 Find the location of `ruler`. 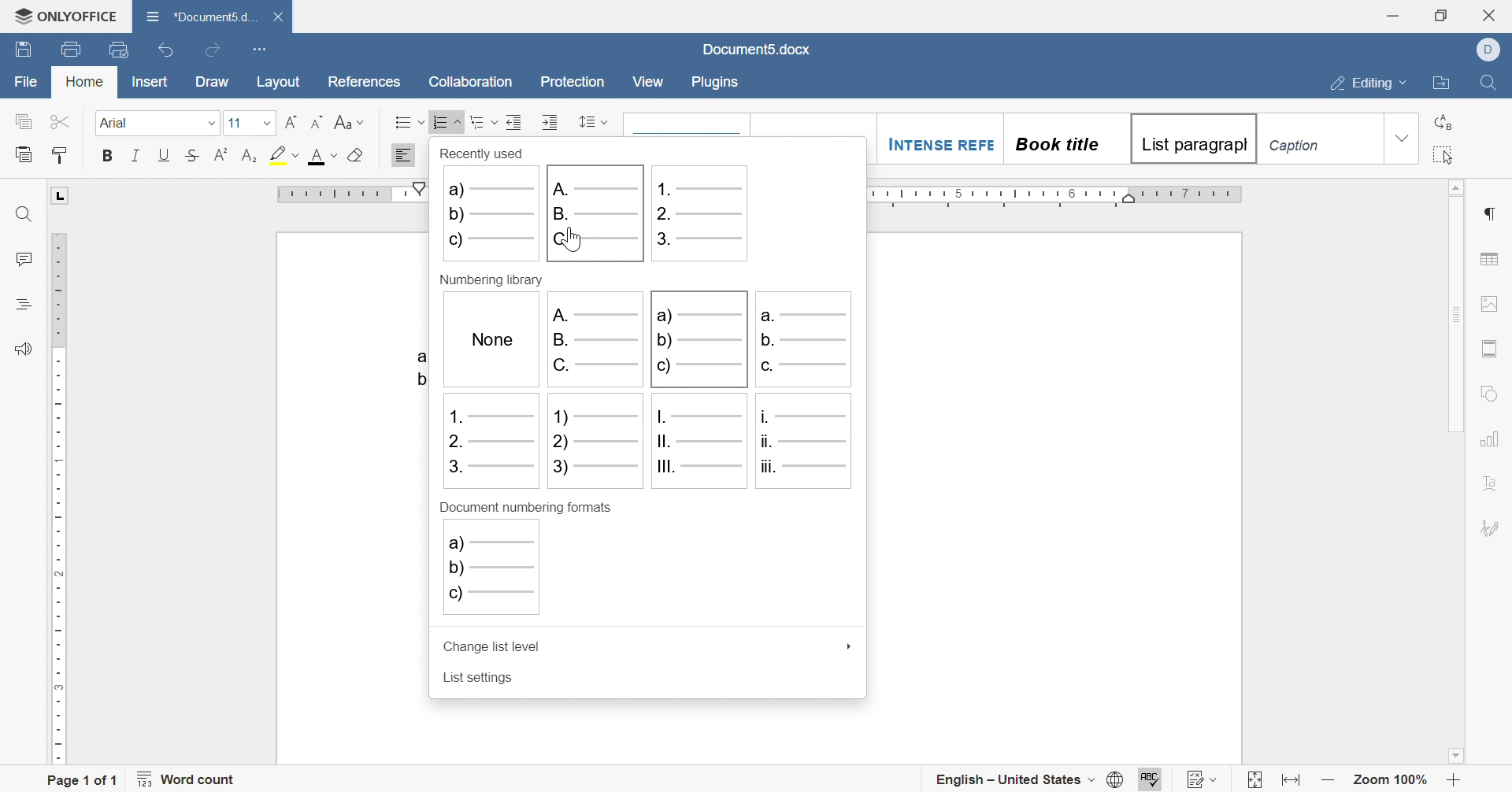

ruler is located at coordinates (1056, 195).